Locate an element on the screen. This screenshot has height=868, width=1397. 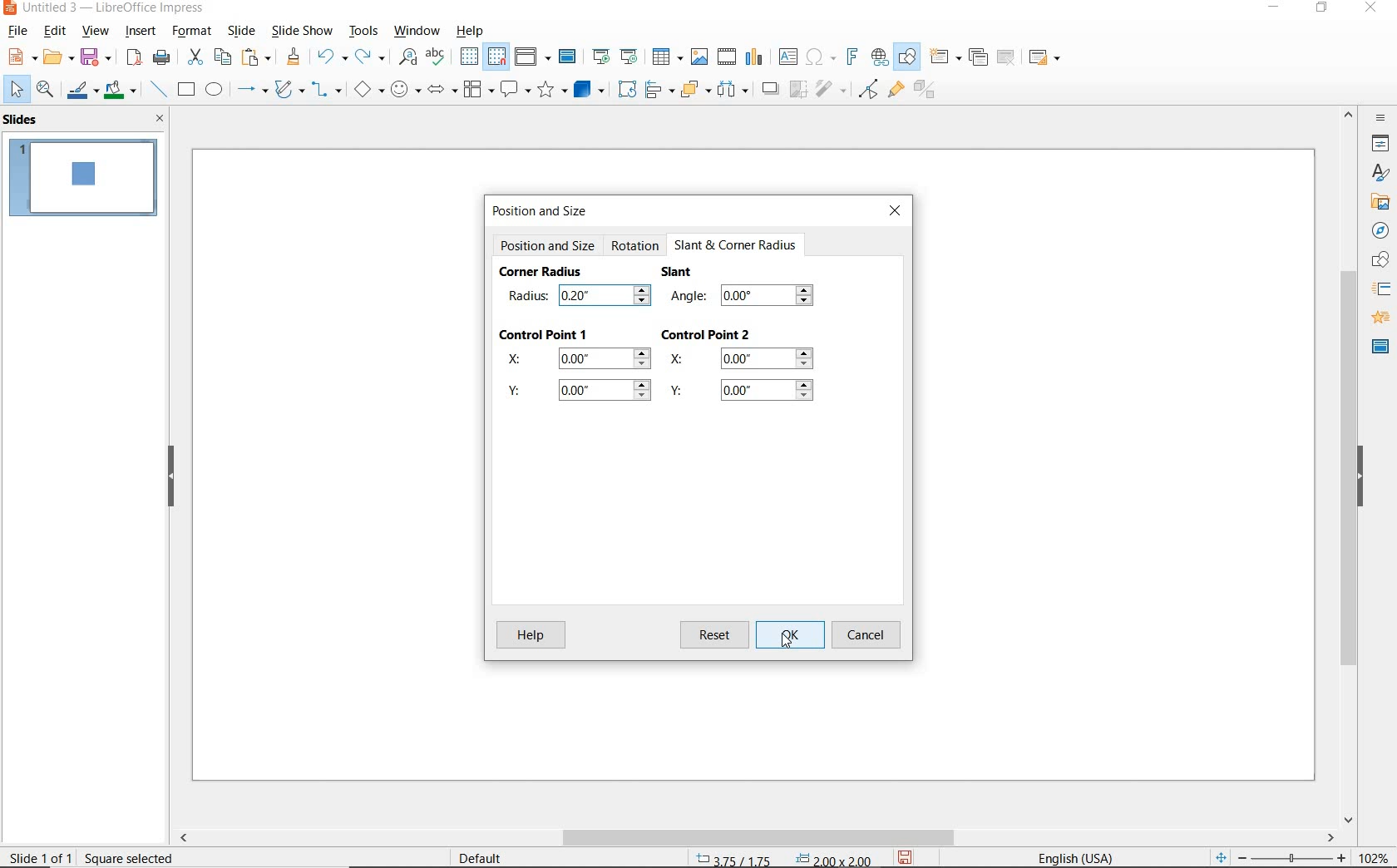
master slide is located at coordinates (571, 56).